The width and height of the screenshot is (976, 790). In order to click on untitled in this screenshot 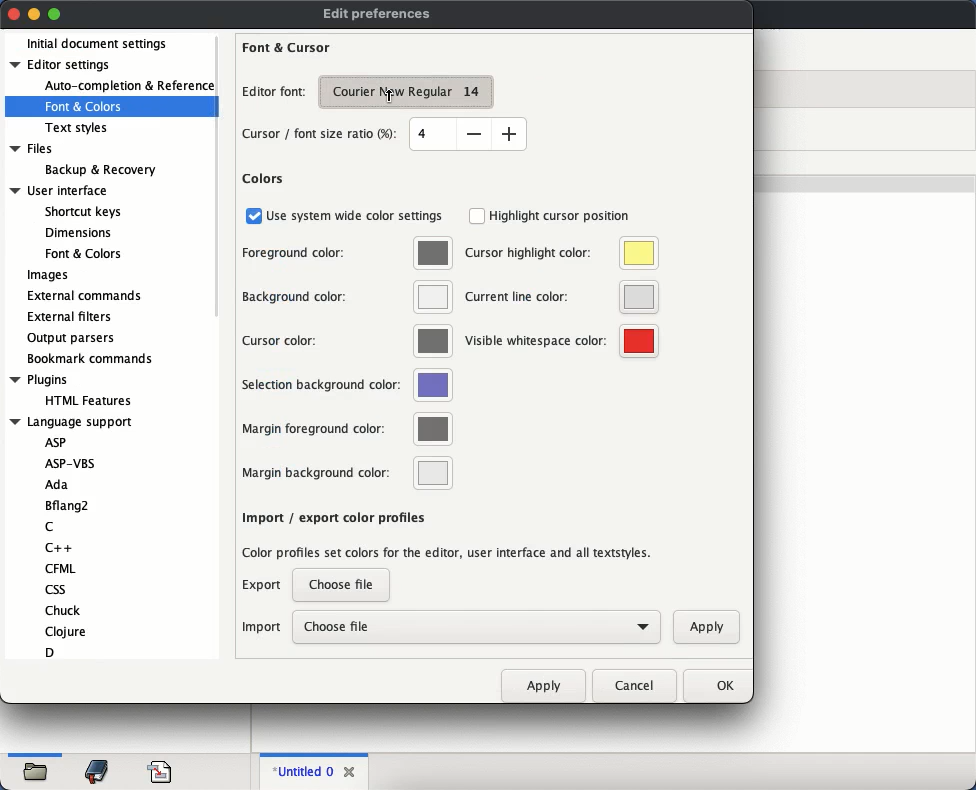, I will do `click(300, 772)`.